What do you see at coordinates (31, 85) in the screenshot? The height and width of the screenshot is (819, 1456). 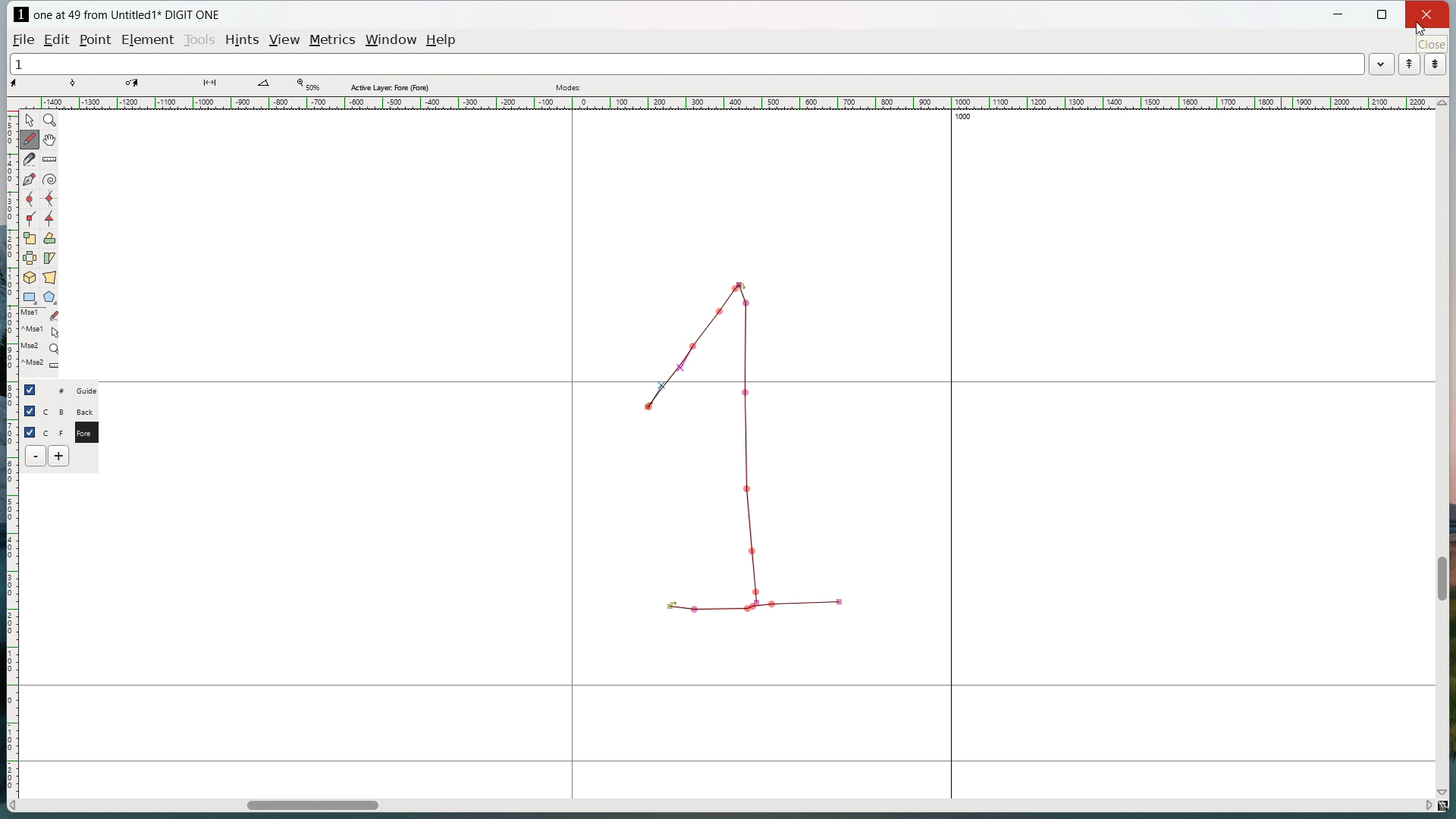 I see `cursor coordinate` at bounding box center [31, 85].